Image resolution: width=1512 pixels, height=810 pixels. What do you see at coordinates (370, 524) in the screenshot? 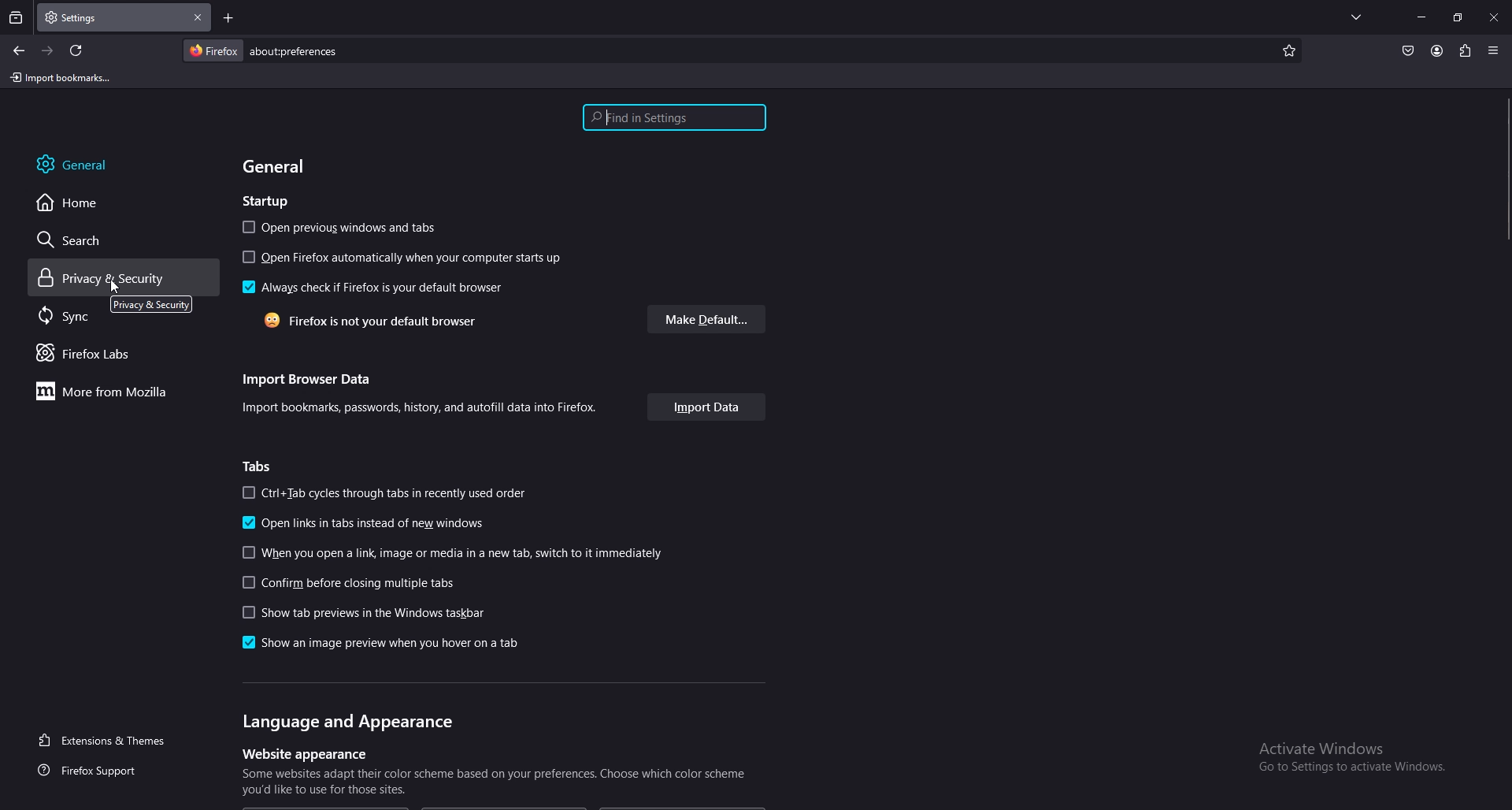
I see `open links in tabs` at bounding box center [370, 524].